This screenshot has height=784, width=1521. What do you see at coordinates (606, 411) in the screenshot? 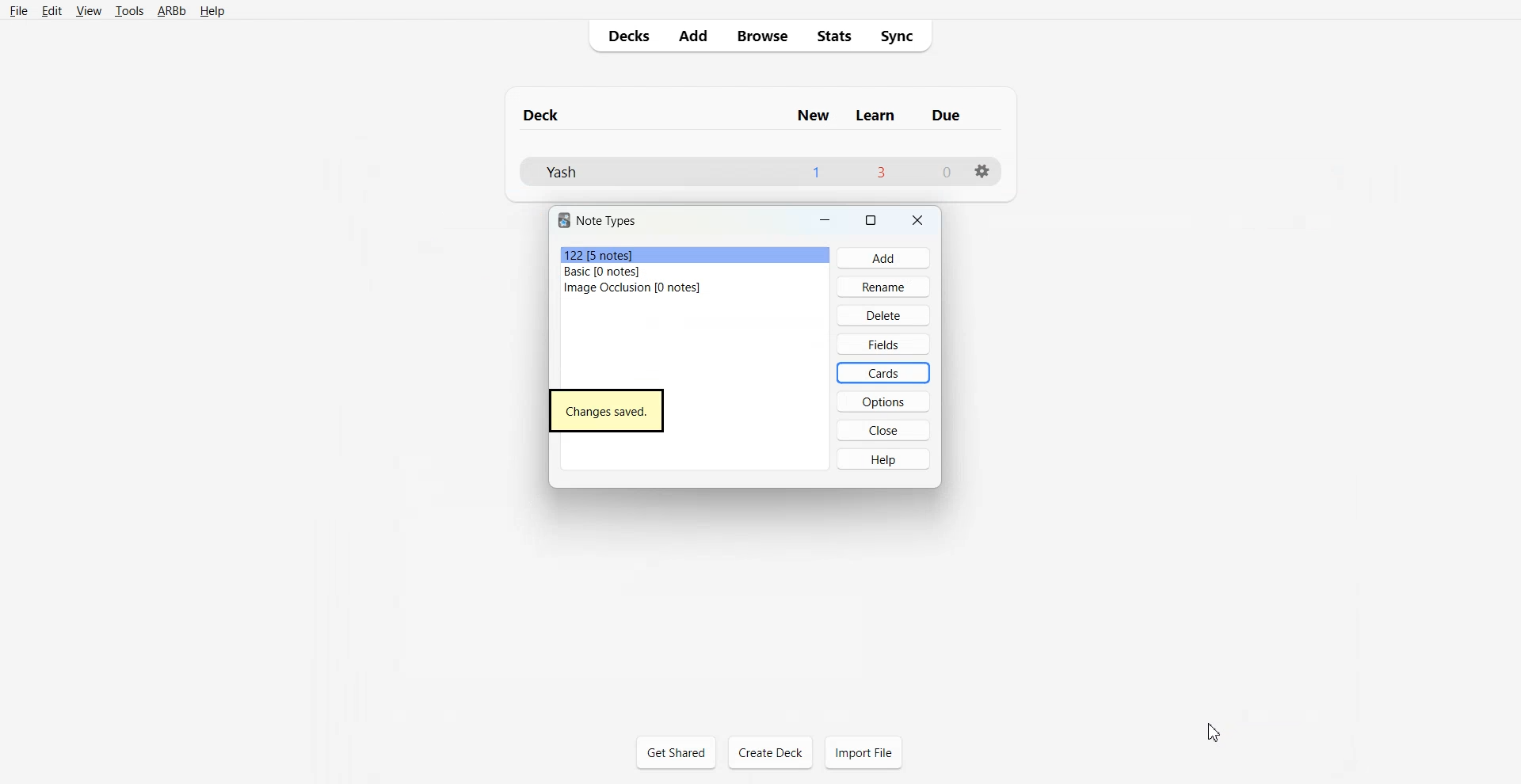
I see `Text` at bounding box center [606, 411].